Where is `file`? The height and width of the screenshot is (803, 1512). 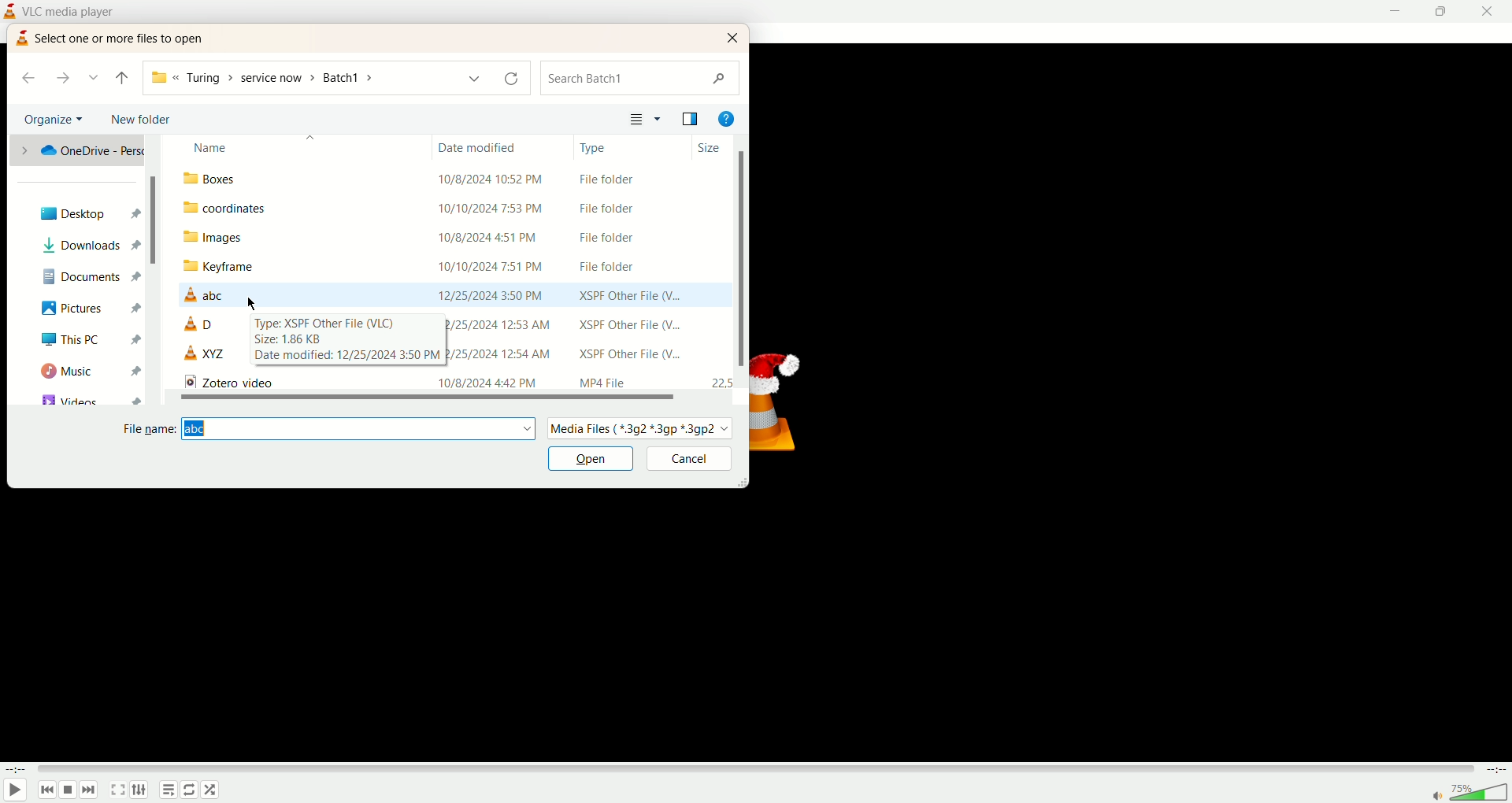 file is located at coordinates (451, 294).